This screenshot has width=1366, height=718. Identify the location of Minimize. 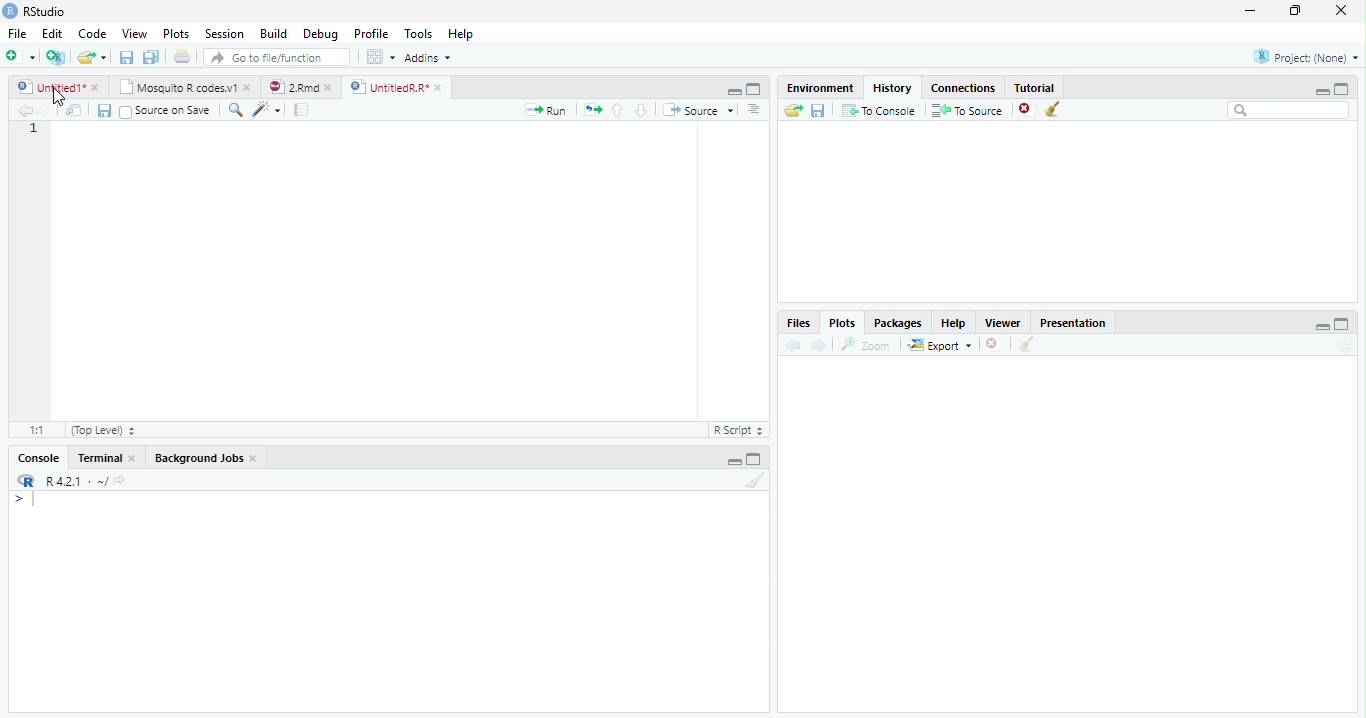
(734, 463).